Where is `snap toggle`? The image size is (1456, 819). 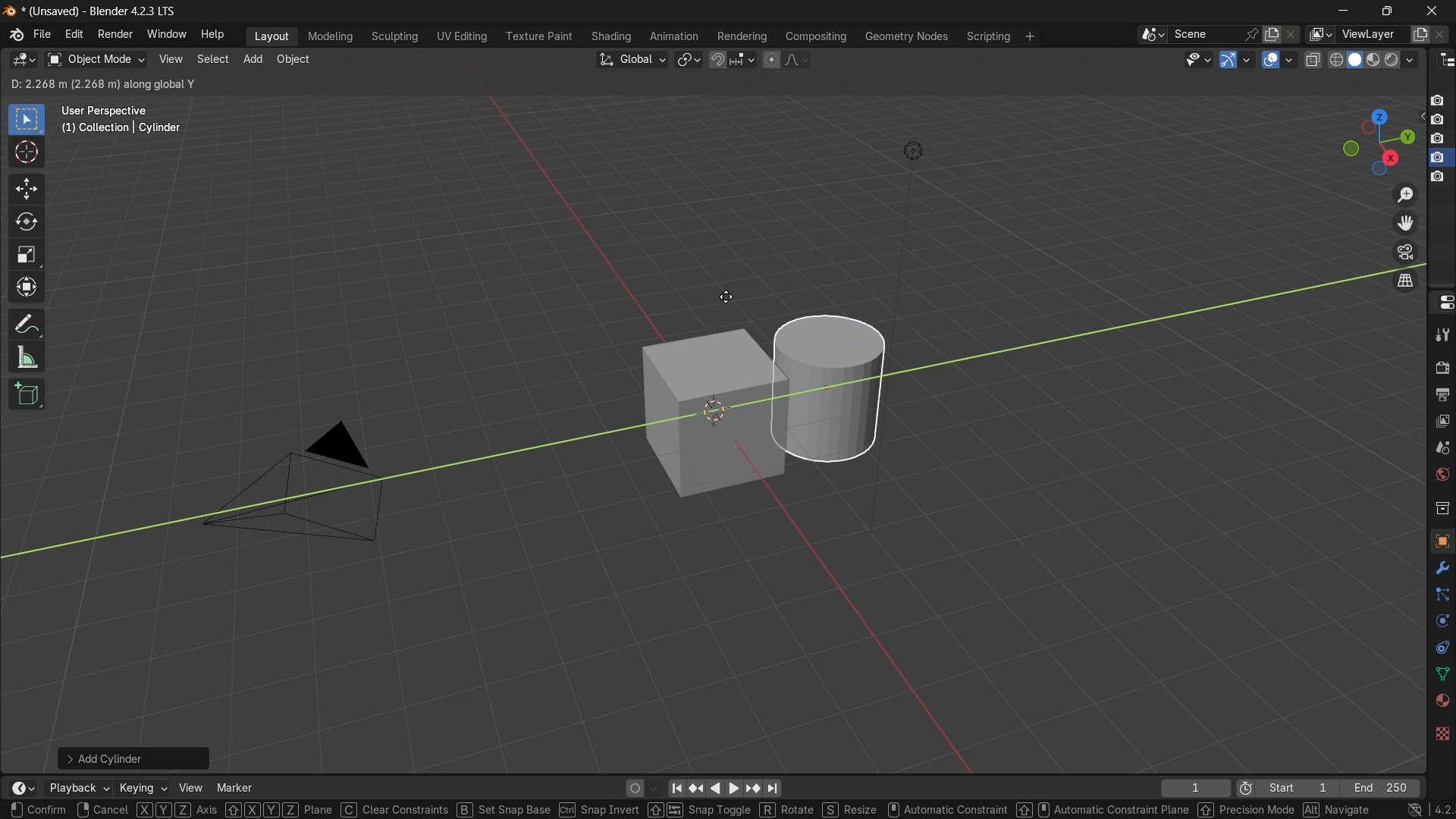
snap toggle is located at coordinates (699, 811).